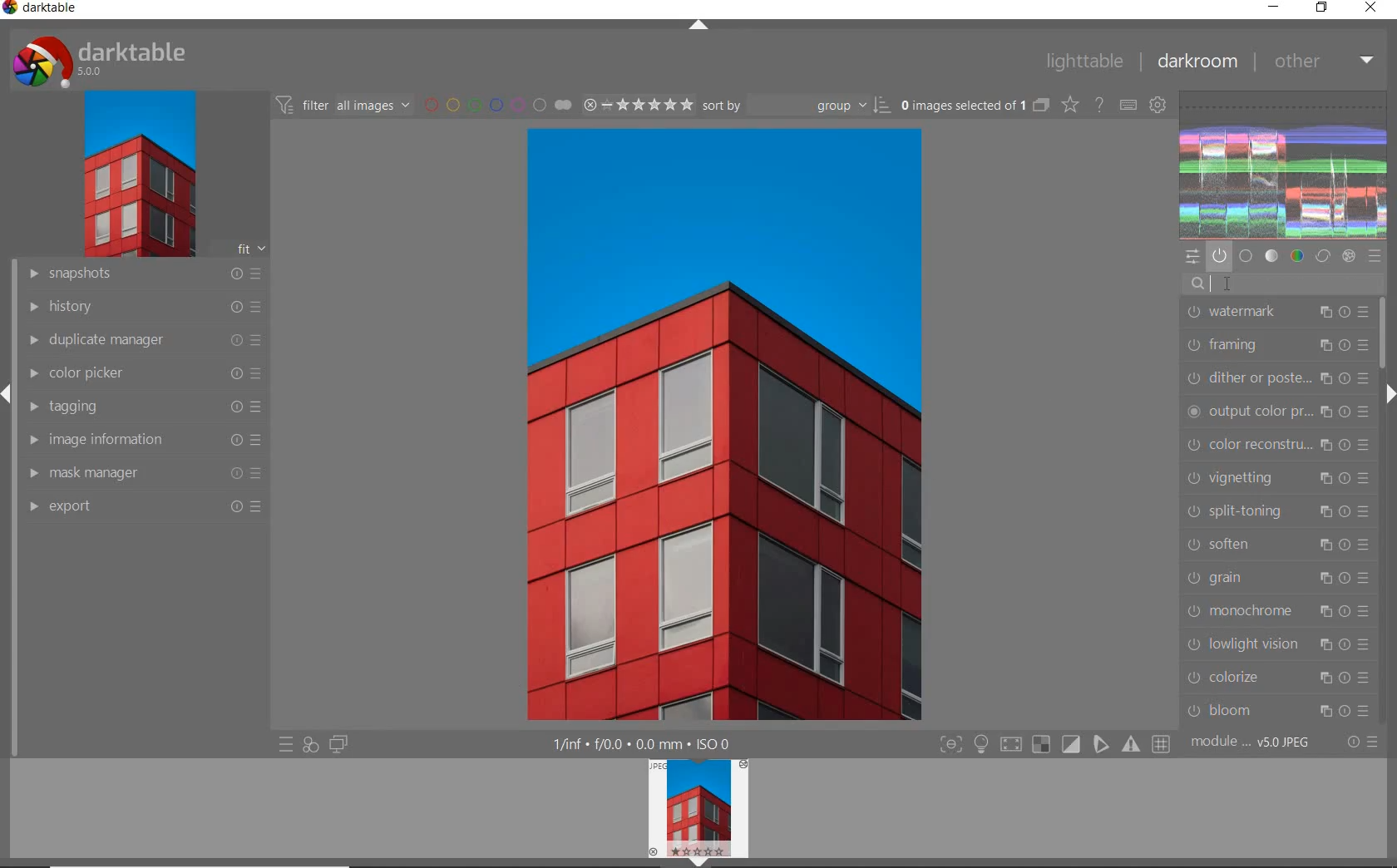  What do you see at coordinates (1389, 393) in the screenshot?
I see `expand/collapse` at bounding box center [1389, 393].